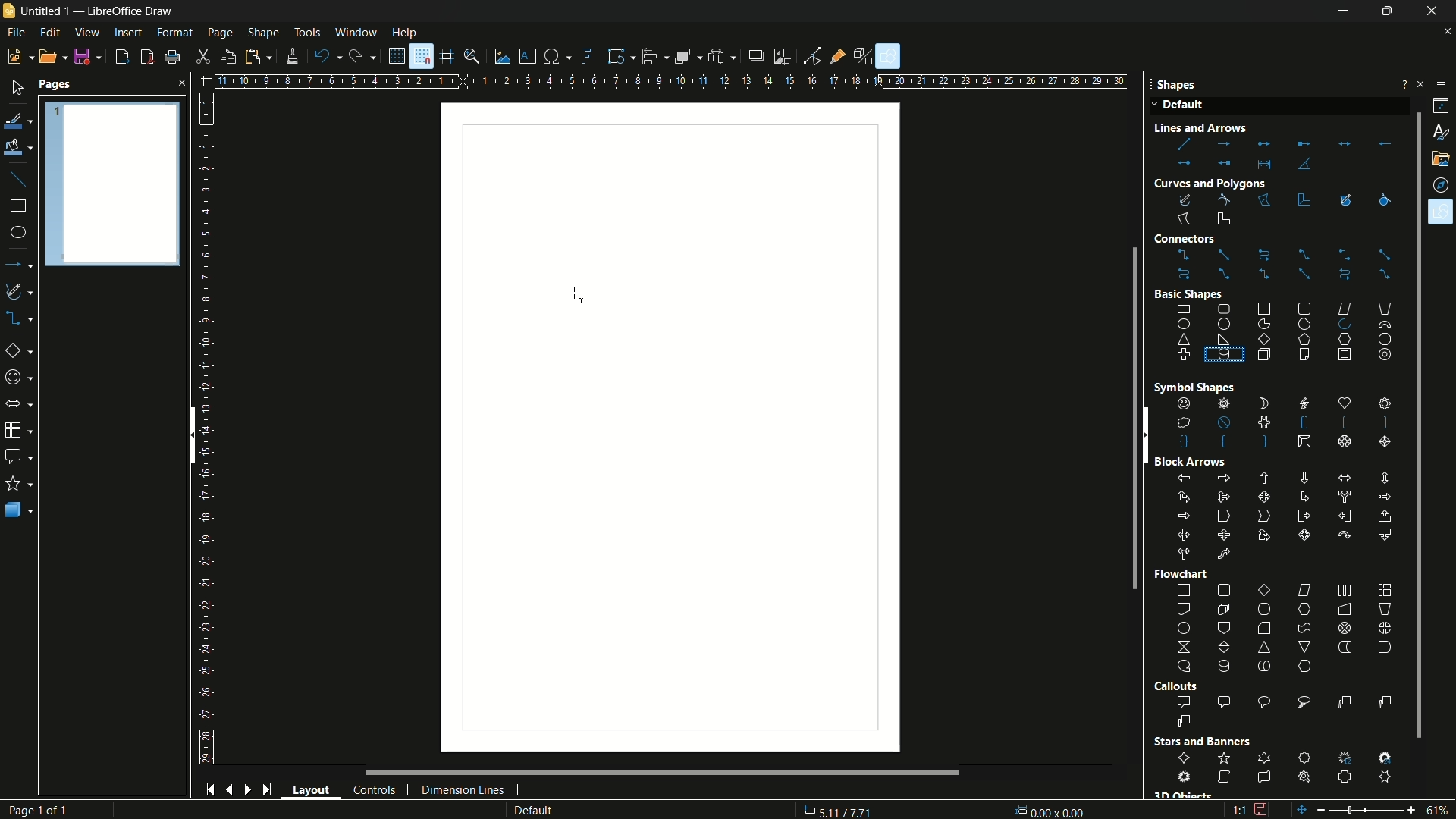 This screenshot has height=819, width=1456. Describe the element at coordinates (1441, 212) in the screenshot. I see `shapes` at that location.